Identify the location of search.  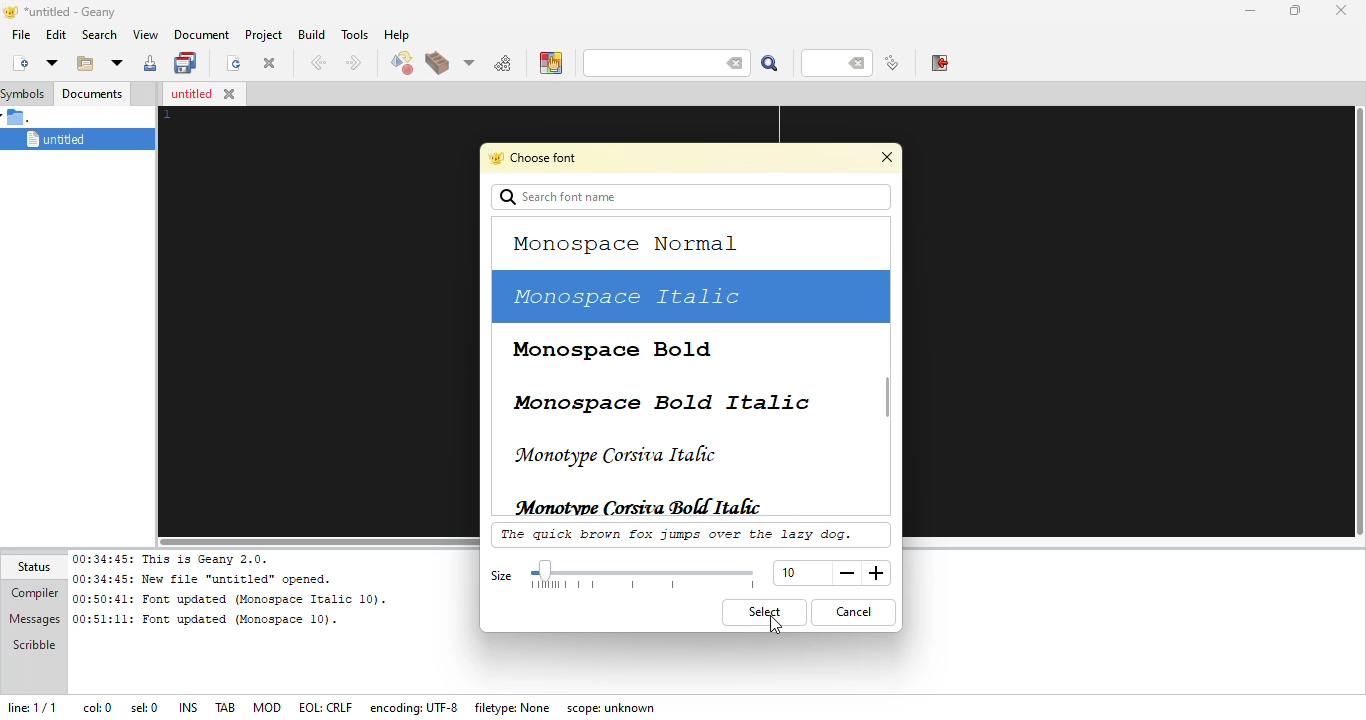
(97, 34).